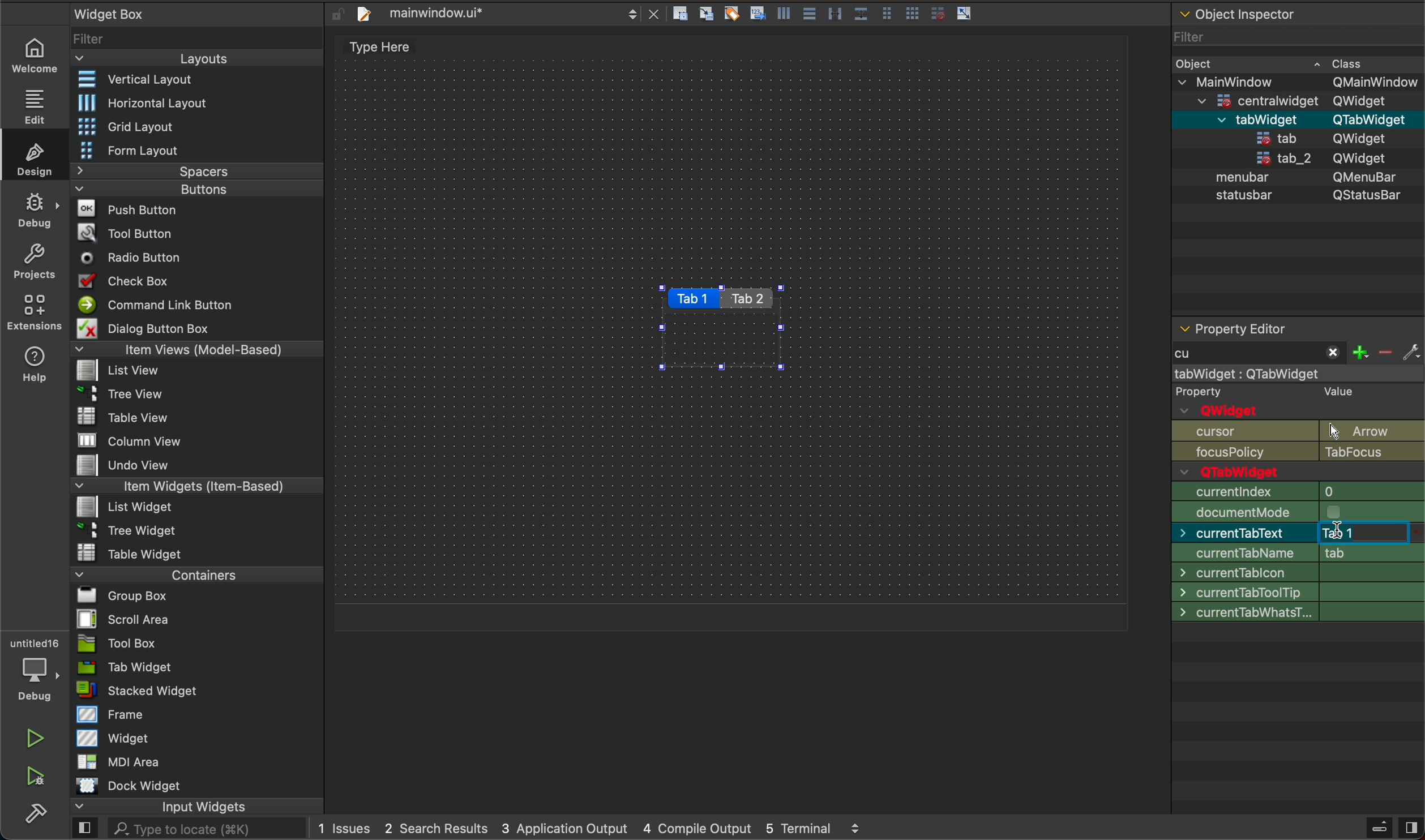  I want to click on cursor, so click(1296, 652).